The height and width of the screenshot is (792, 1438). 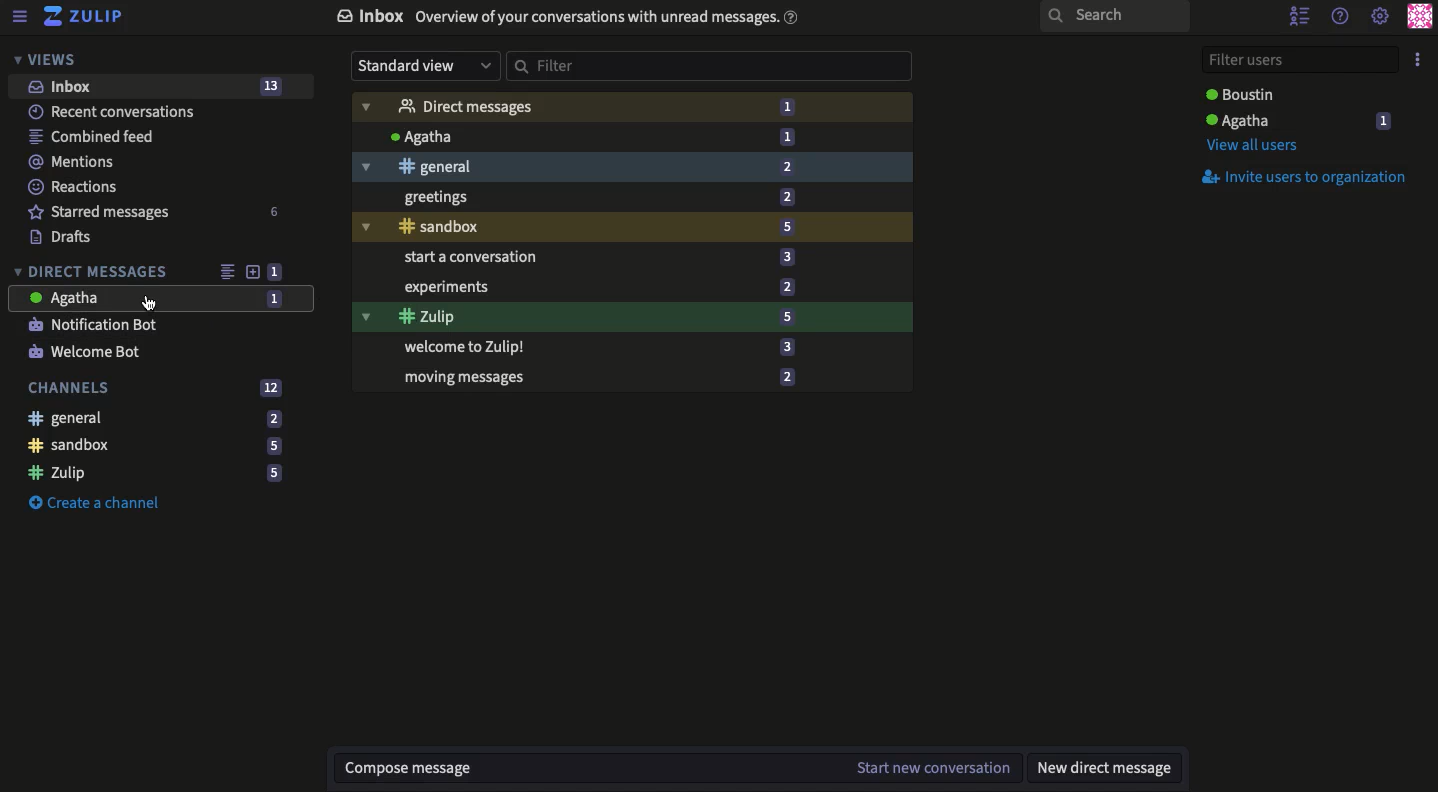 What do you see at coordinates (89, 19) in the screenshot?
I see `Zulip` at bounding box center [89, 19].